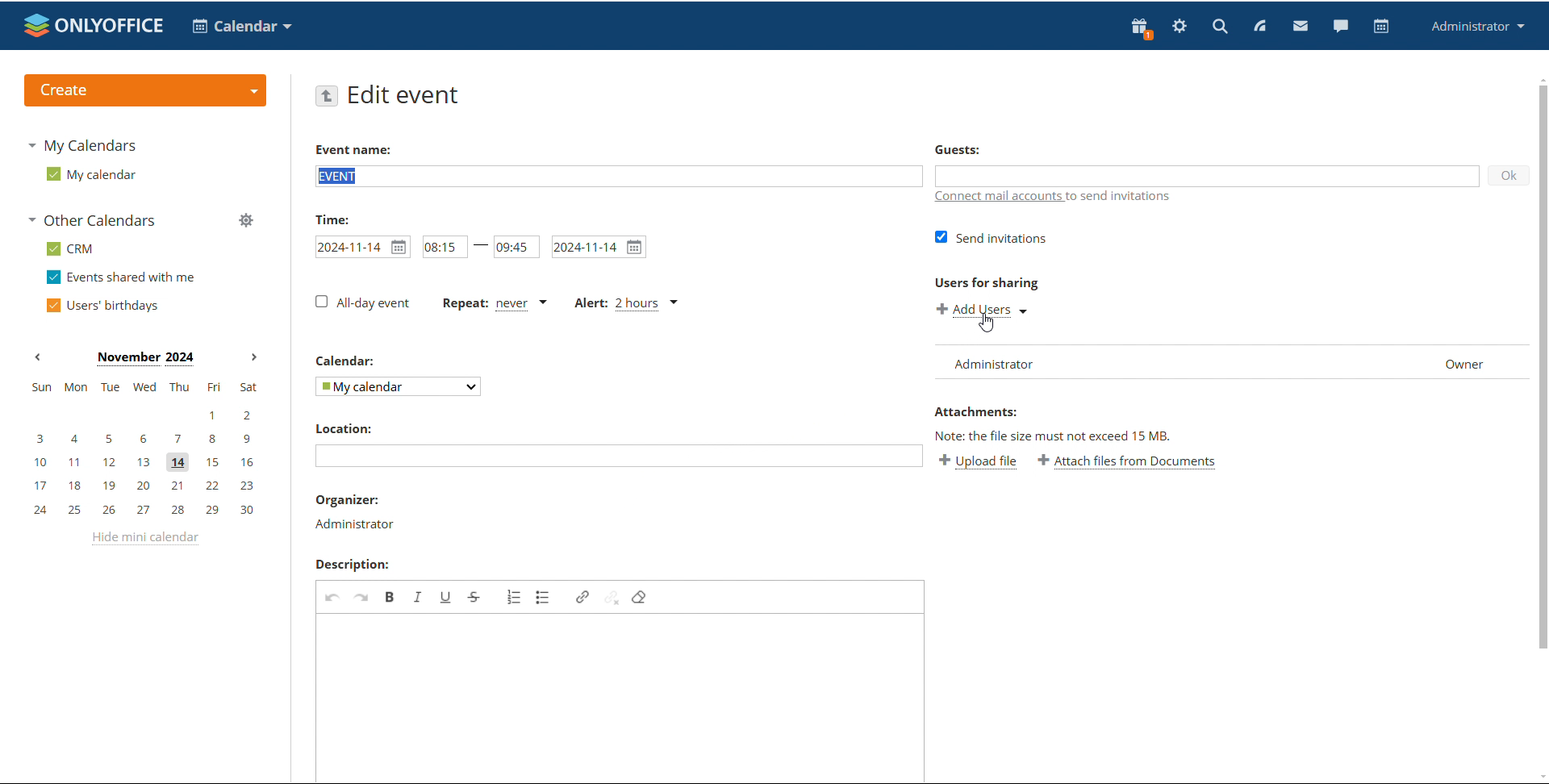  Describe the element at coordinates (987, 283) in the screenshot. I see `Users for sharing` at that location.